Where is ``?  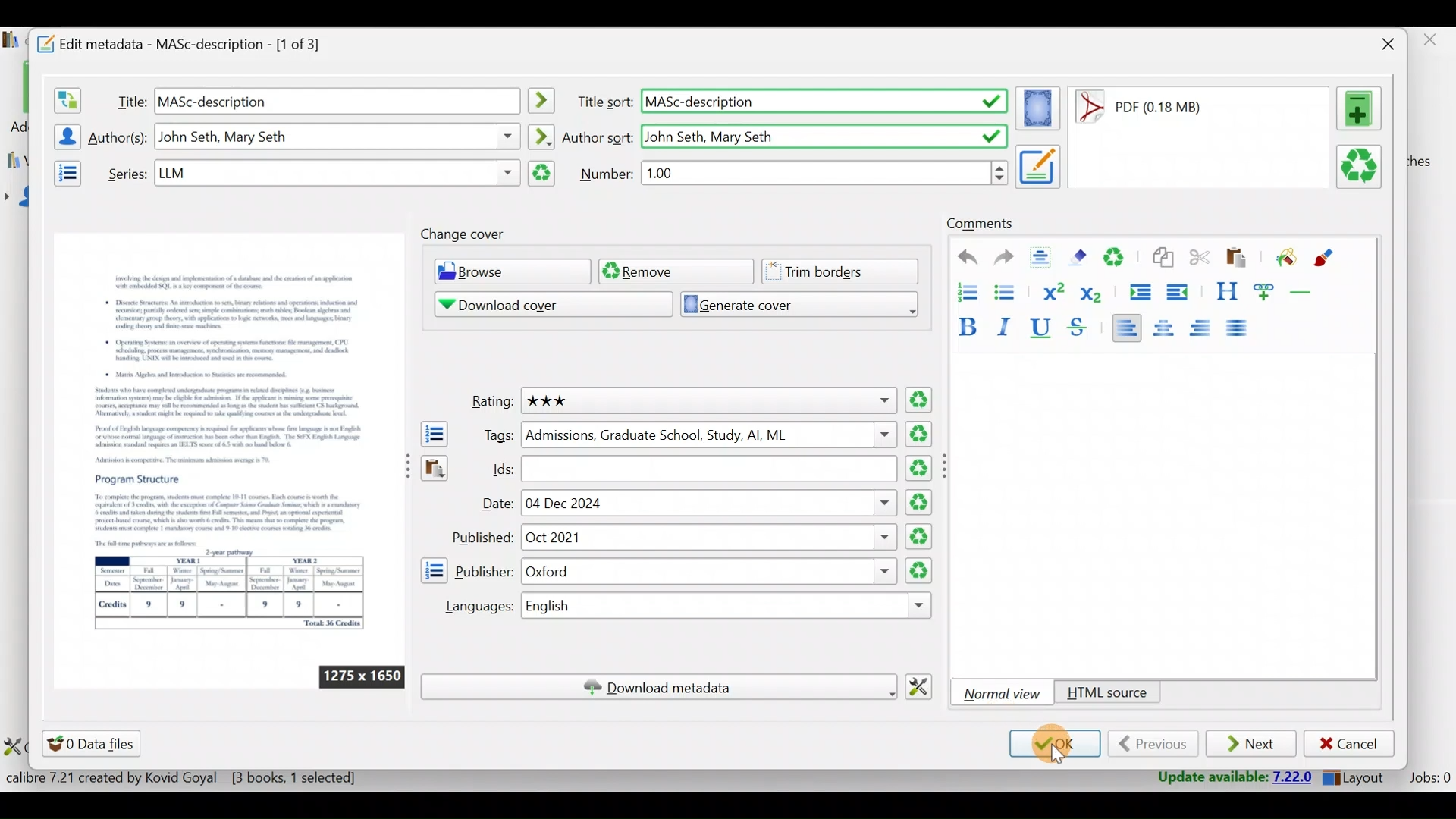  is located at coordinates (707, 400).